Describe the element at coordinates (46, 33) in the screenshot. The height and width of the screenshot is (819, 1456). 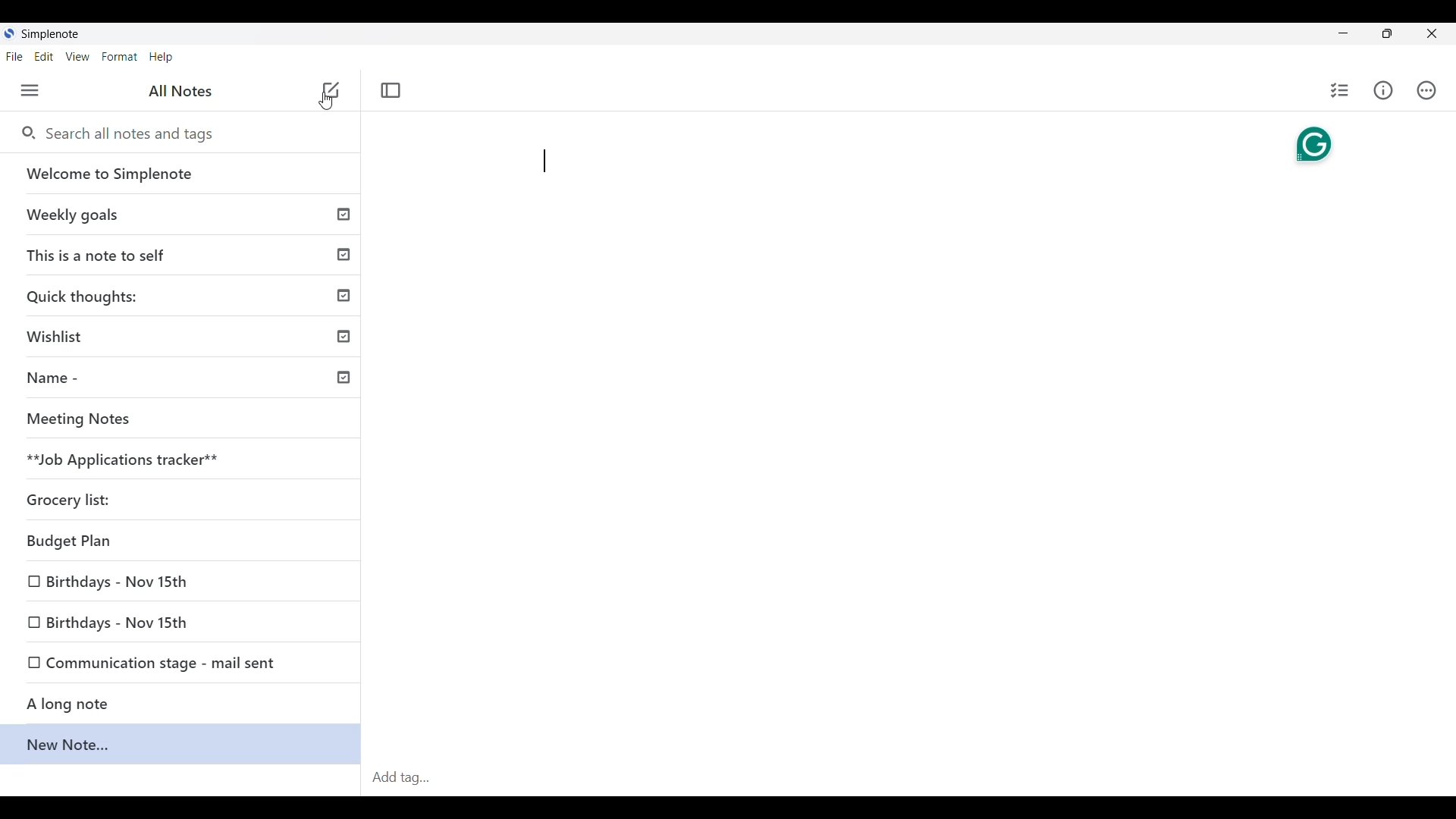
I see `SimpleNote` at that location.